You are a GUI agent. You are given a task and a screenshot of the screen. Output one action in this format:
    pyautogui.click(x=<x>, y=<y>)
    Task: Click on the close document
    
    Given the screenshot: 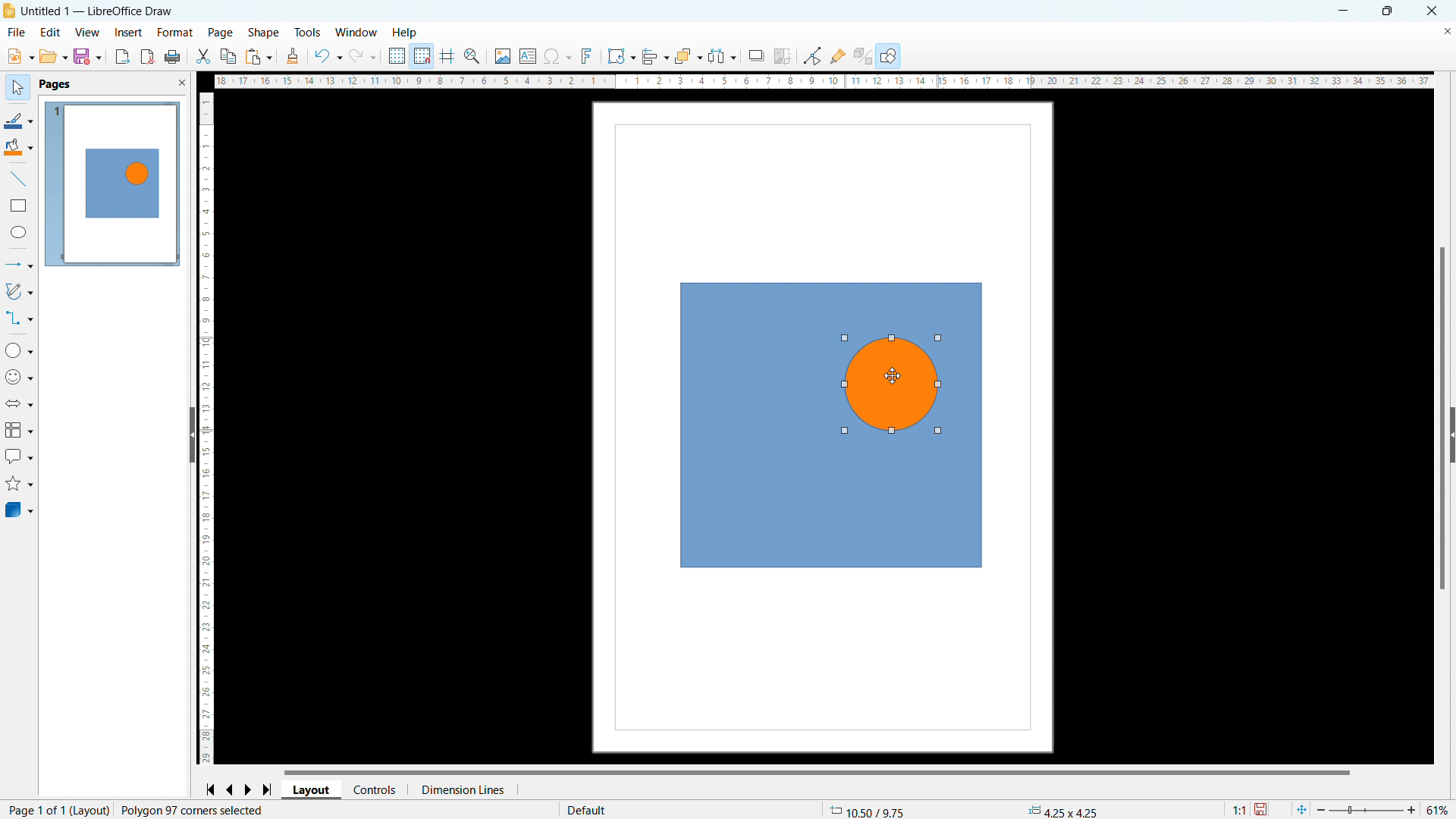 What is the action you would take?
    pyautogui.click(x=1446, y=30)
    